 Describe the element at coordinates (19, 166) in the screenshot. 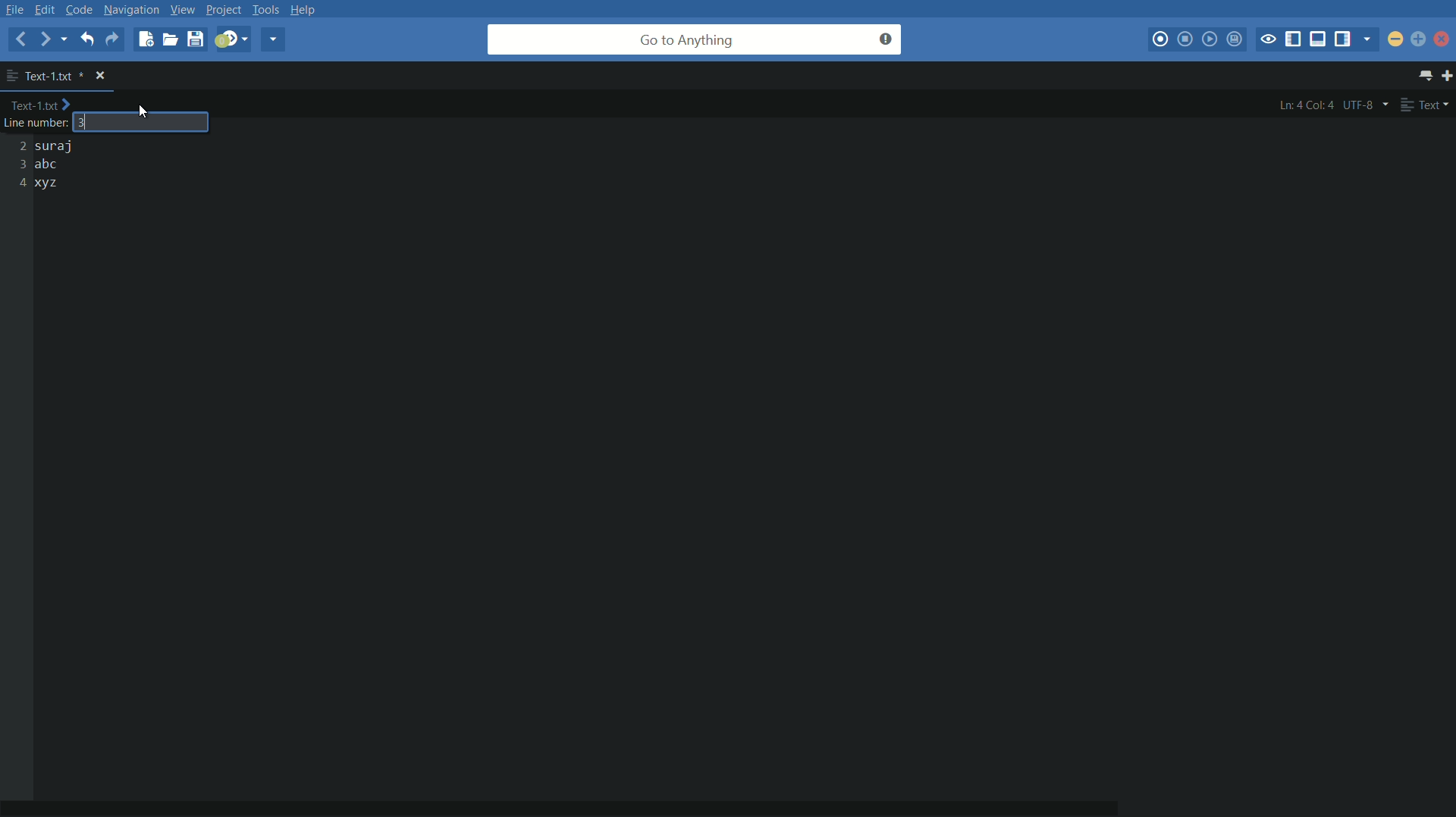

I see `2 3 4` at that location.